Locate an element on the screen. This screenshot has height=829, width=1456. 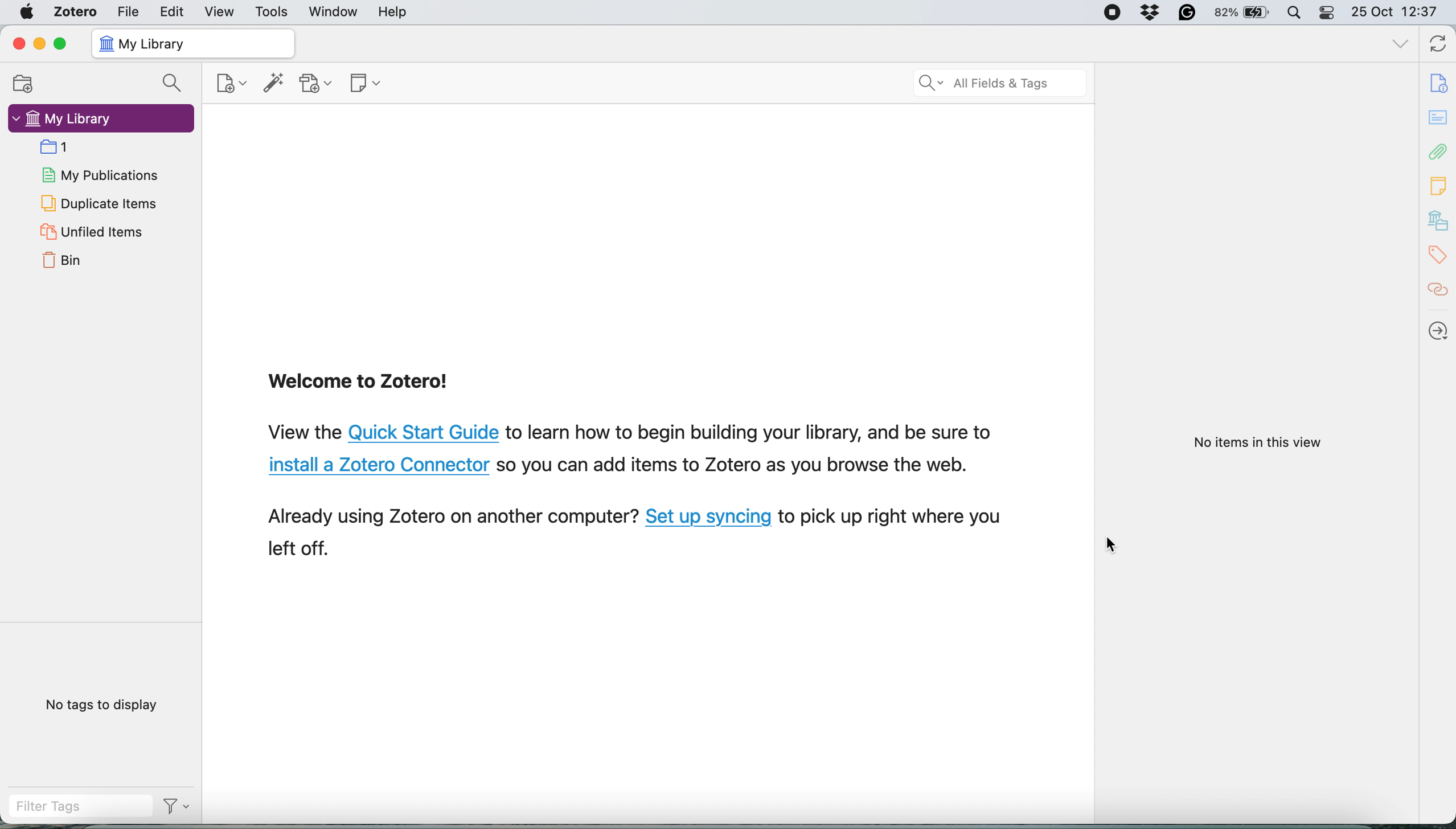
no tags to display is located at coordinates (100, 704).